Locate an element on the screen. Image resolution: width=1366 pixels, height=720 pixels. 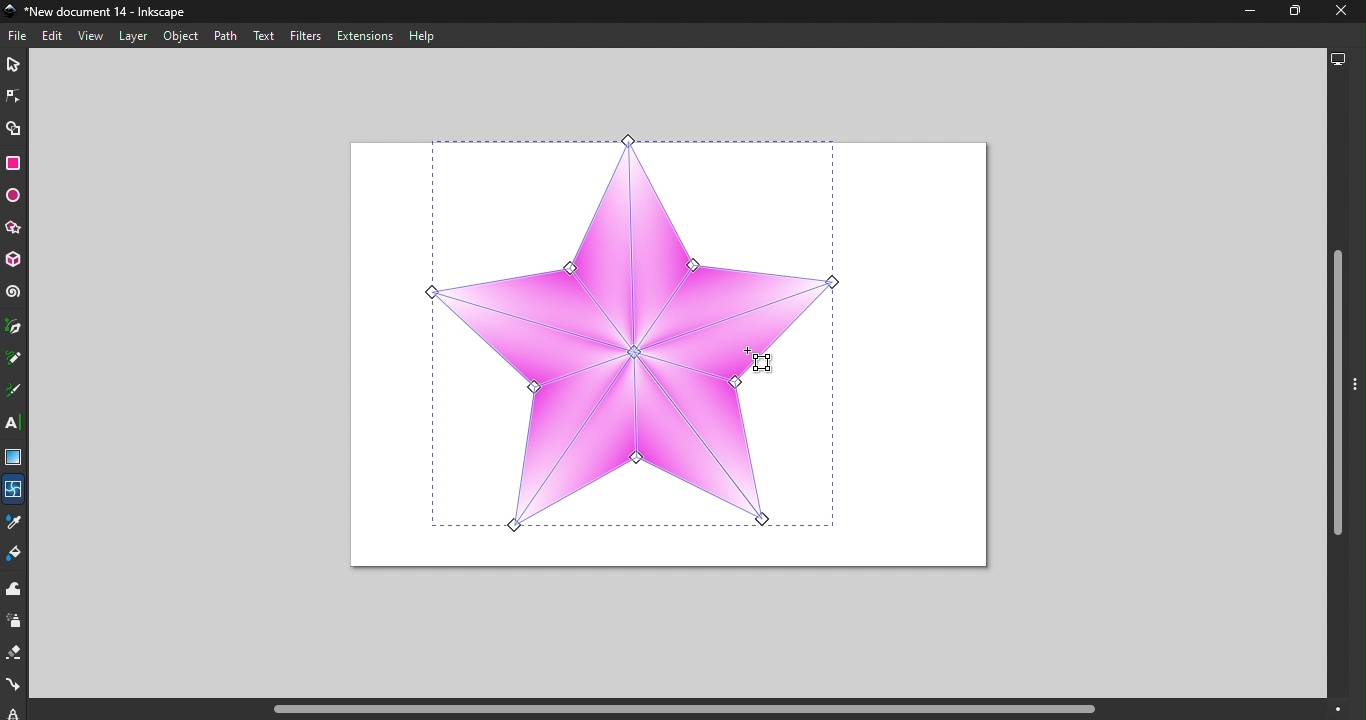
Dropper tool is located at coordinates (14, 525).